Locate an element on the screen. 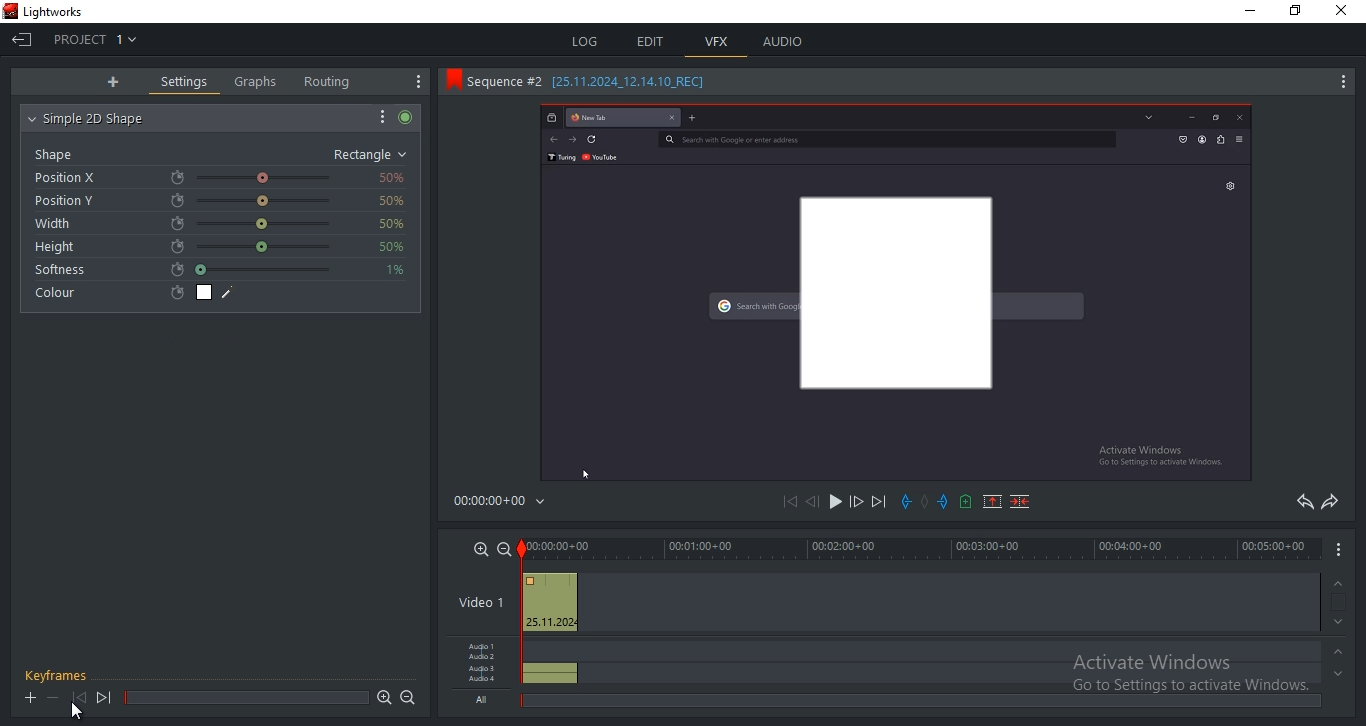 Image resolution: width=1366 pixels, height=726 pixels. forward is located at coordinates (856, 504).